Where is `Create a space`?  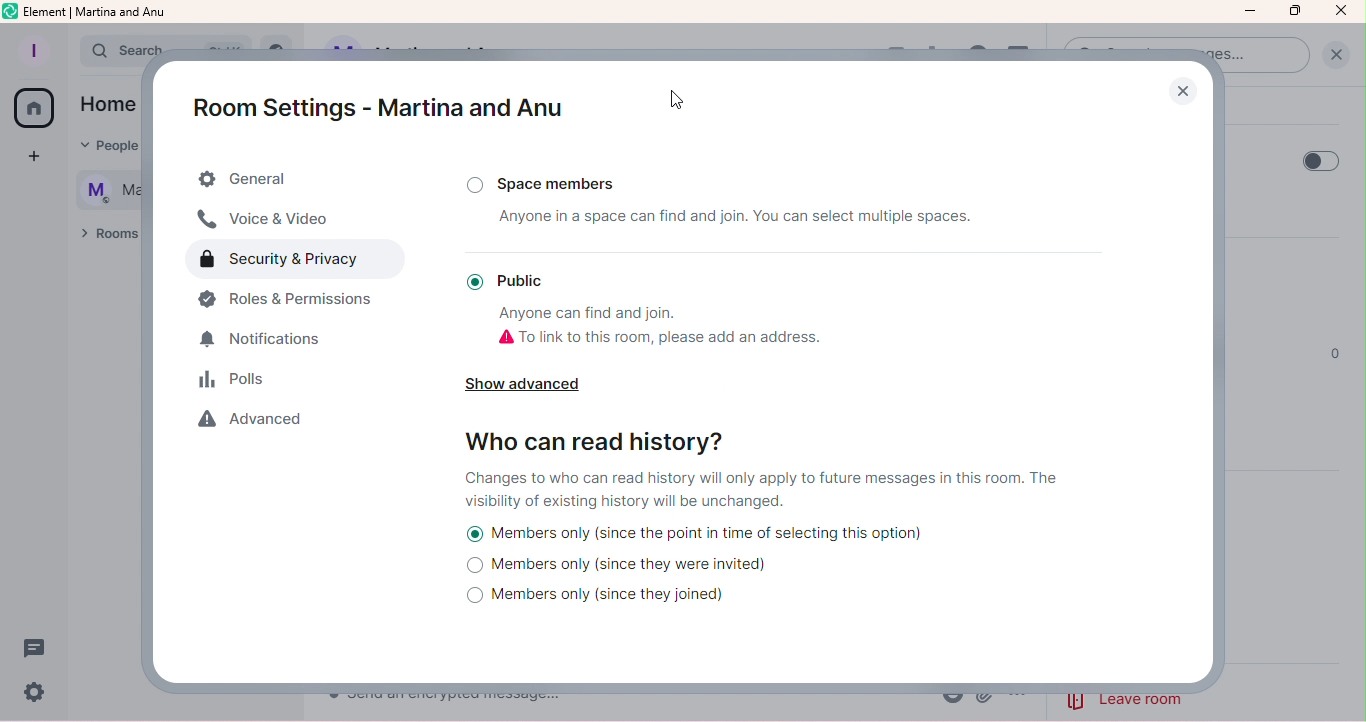 Create a space is located at coordinates (38, 160).